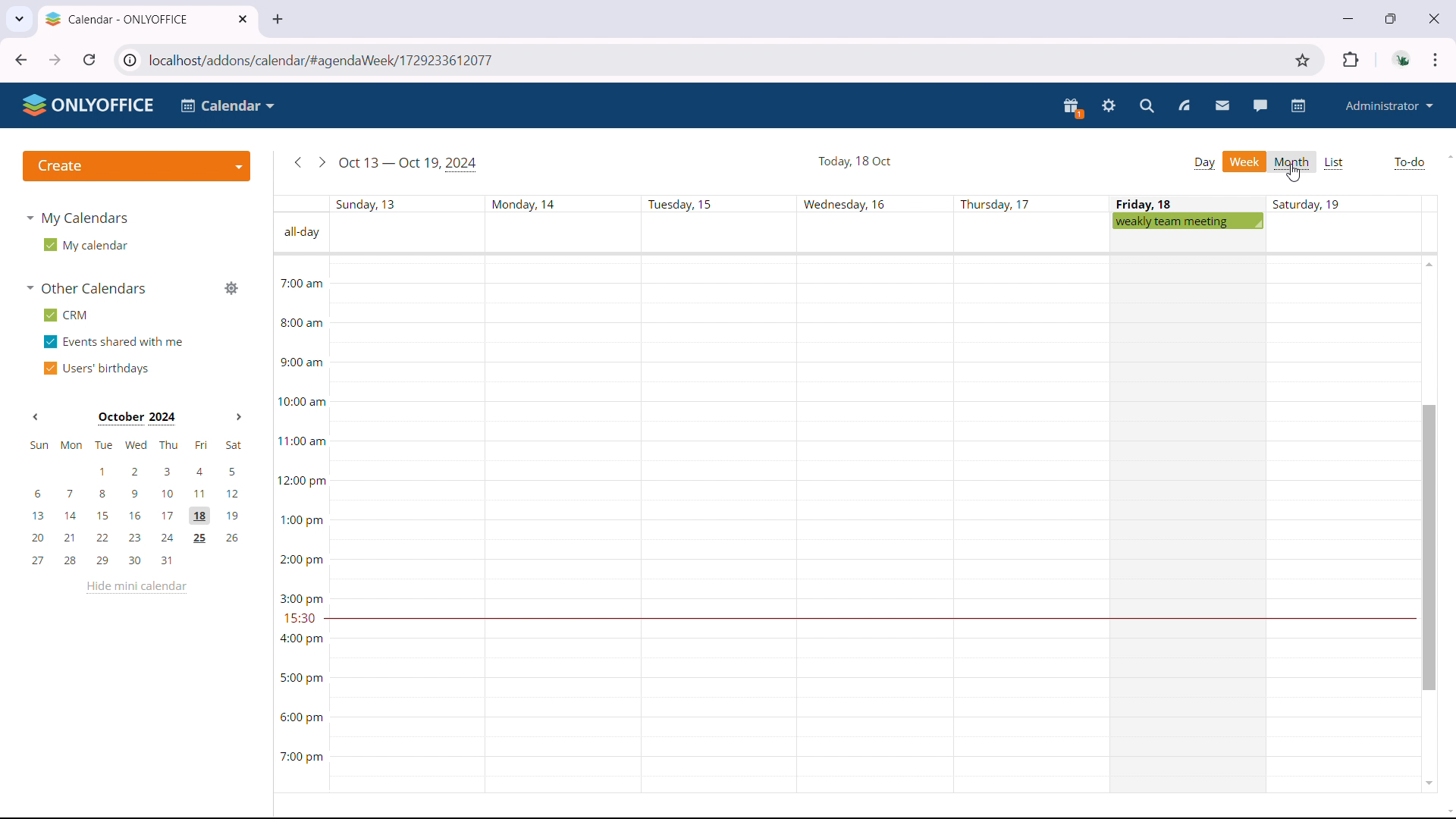 The image size is (1456, 819). Describe the element at coordinates (1403, 58) in the screenshot. I see `account` at that location.